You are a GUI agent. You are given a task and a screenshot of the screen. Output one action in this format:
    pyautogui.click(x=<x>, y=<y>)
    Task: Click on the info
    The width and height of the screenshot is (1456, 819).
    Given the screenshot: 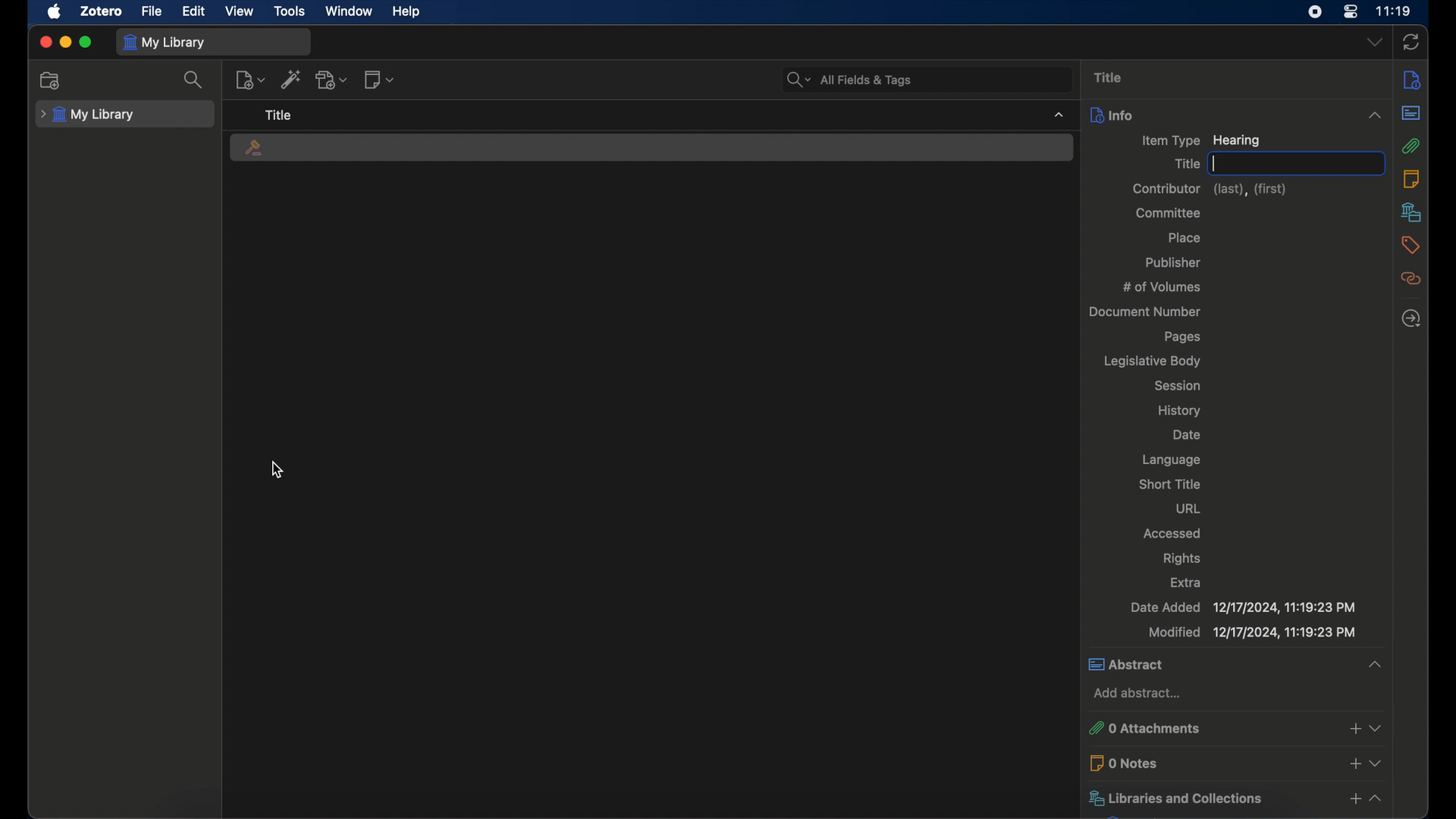 What is the action you would take?
    pyautogui.click(x=1411, y=80)
    